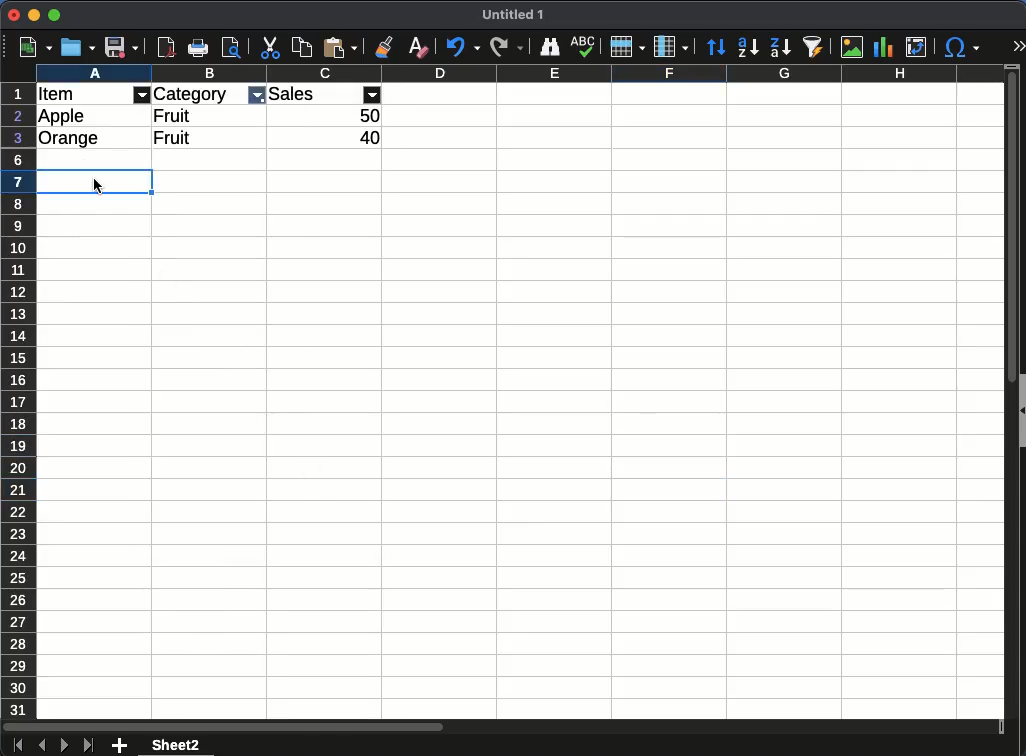 The width and height of the screenshot is (1026, 756). Describe the element at coordinates (271, 48) in the screenshot. I see `cut` at that location.